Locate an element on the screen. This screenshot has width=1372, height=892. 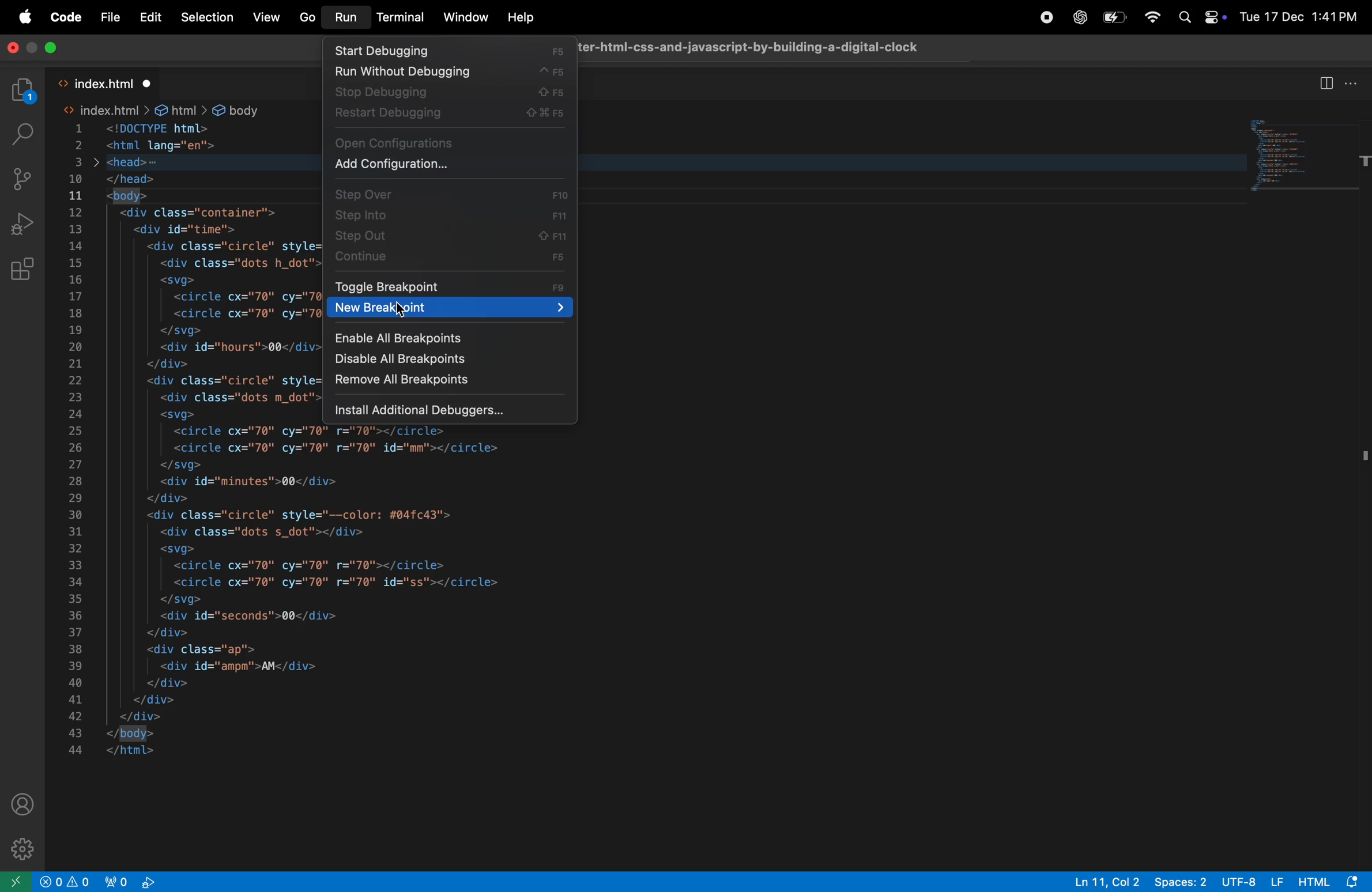
> index.html > &@ html > & body is located at coordinates (166, 111).